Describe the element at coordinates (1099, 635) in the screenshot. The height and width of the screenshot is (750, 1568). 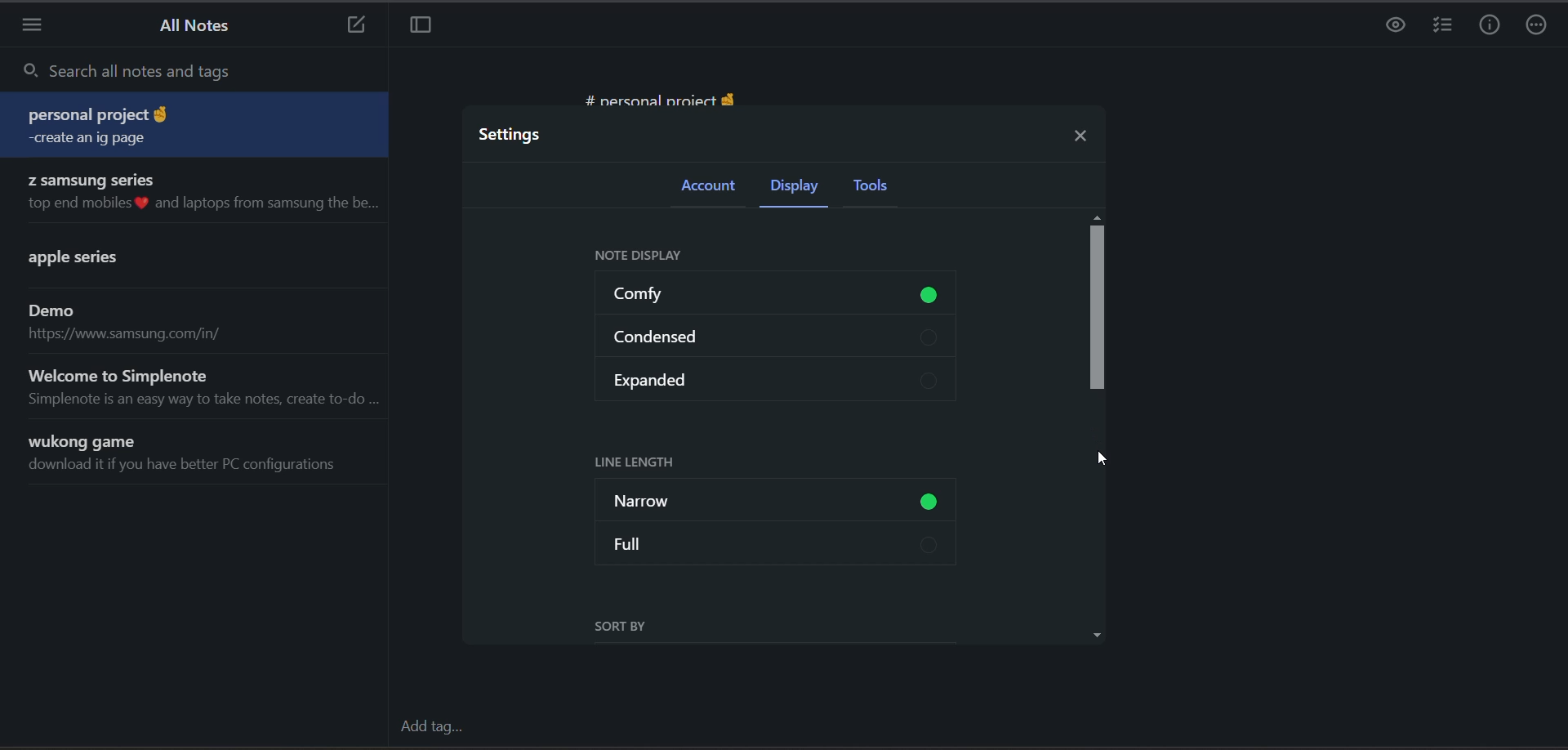
I see `Down` at that location.